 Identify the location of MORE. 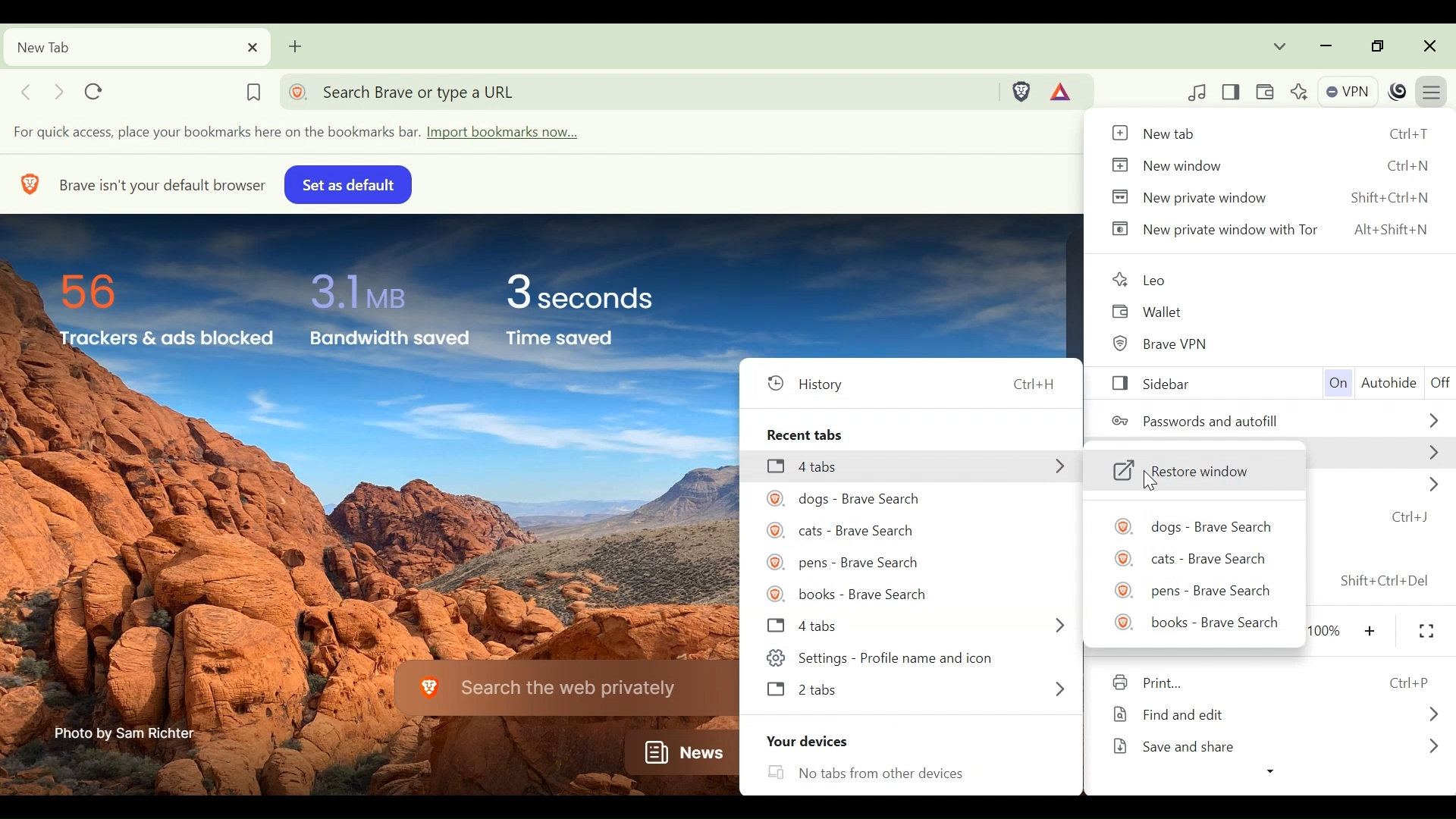
(1433, 713).